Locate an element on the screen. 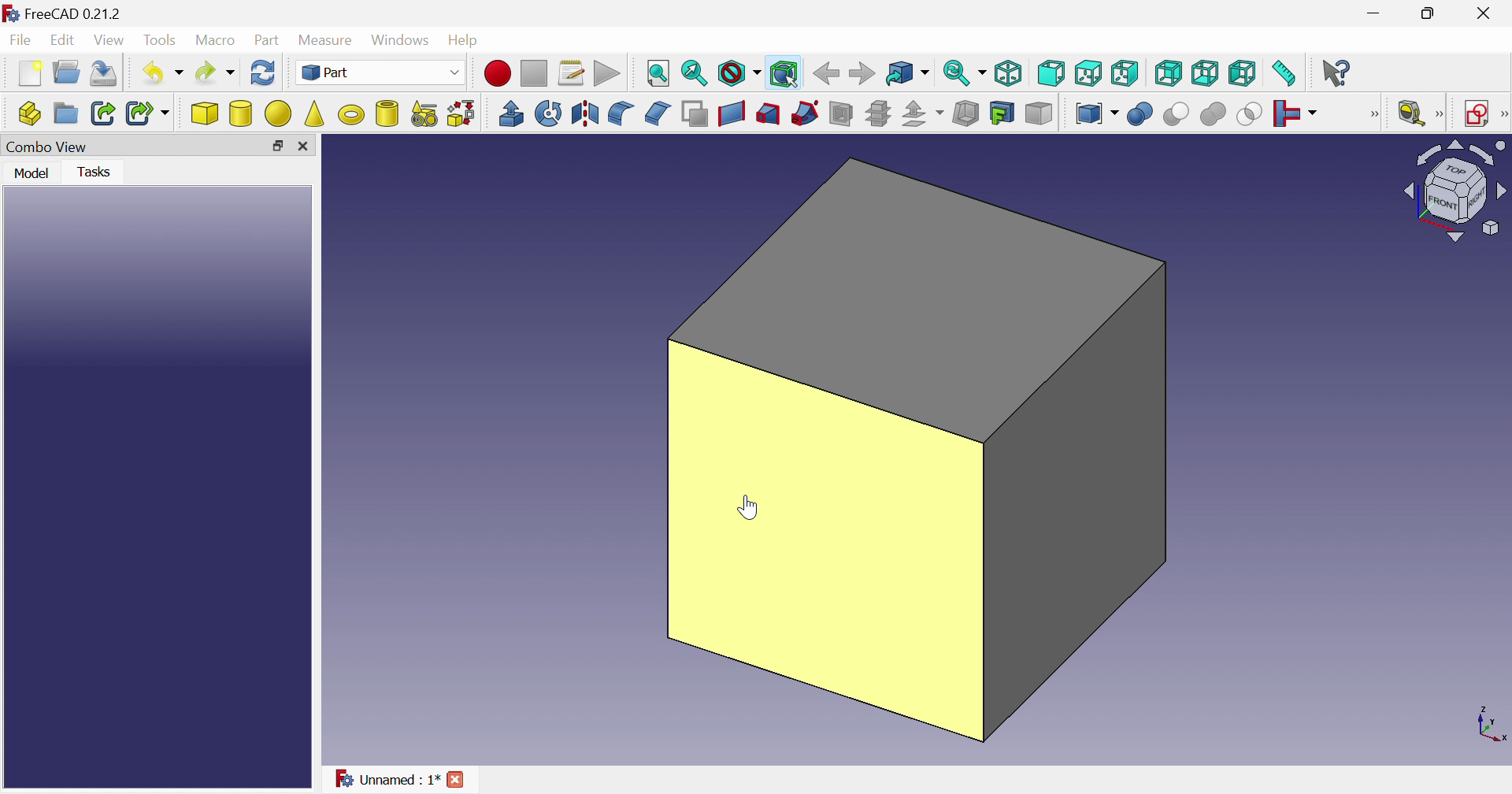  Macros... is located at coordinates (571, 75).